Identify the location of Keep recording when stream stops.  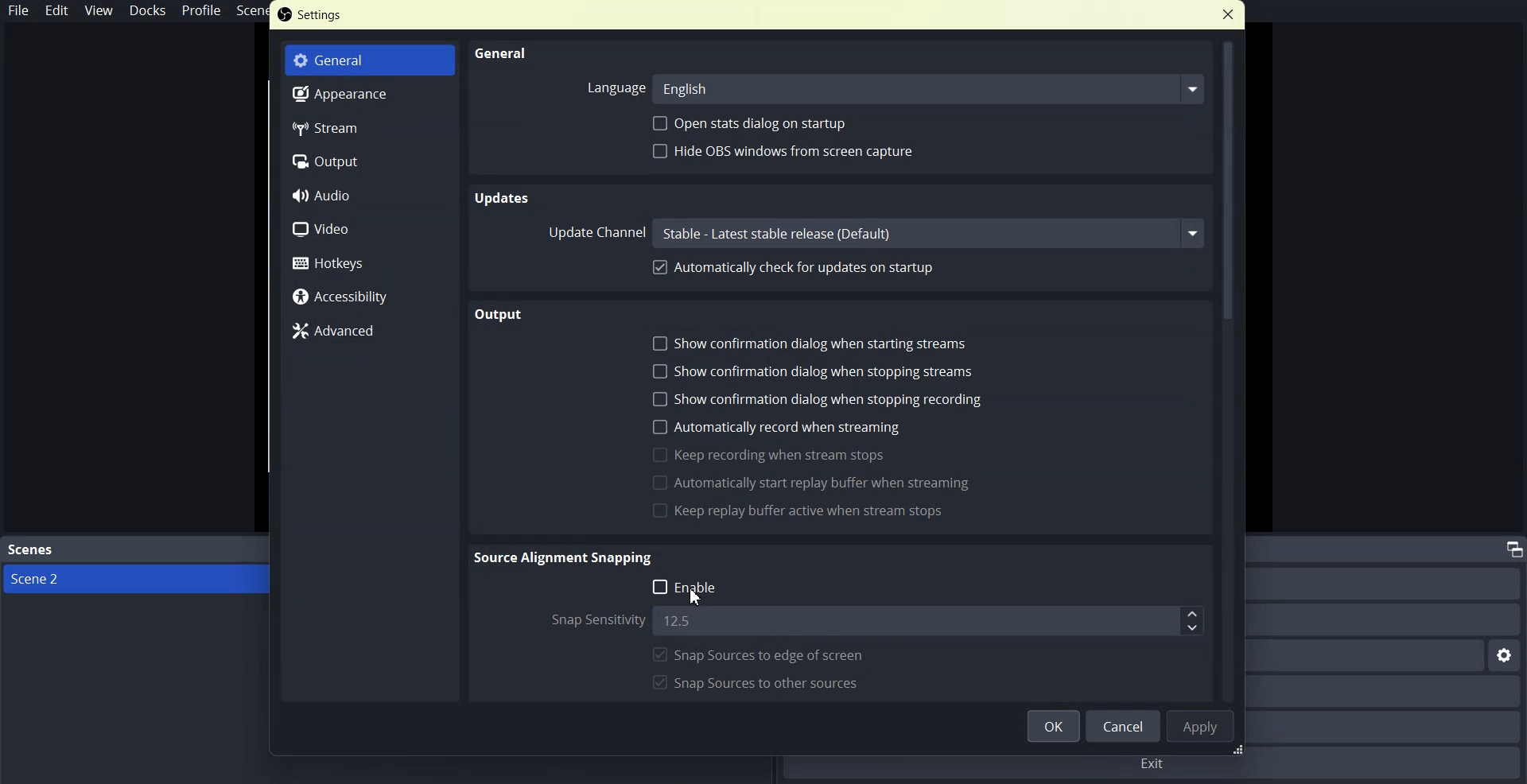
(769, 455).